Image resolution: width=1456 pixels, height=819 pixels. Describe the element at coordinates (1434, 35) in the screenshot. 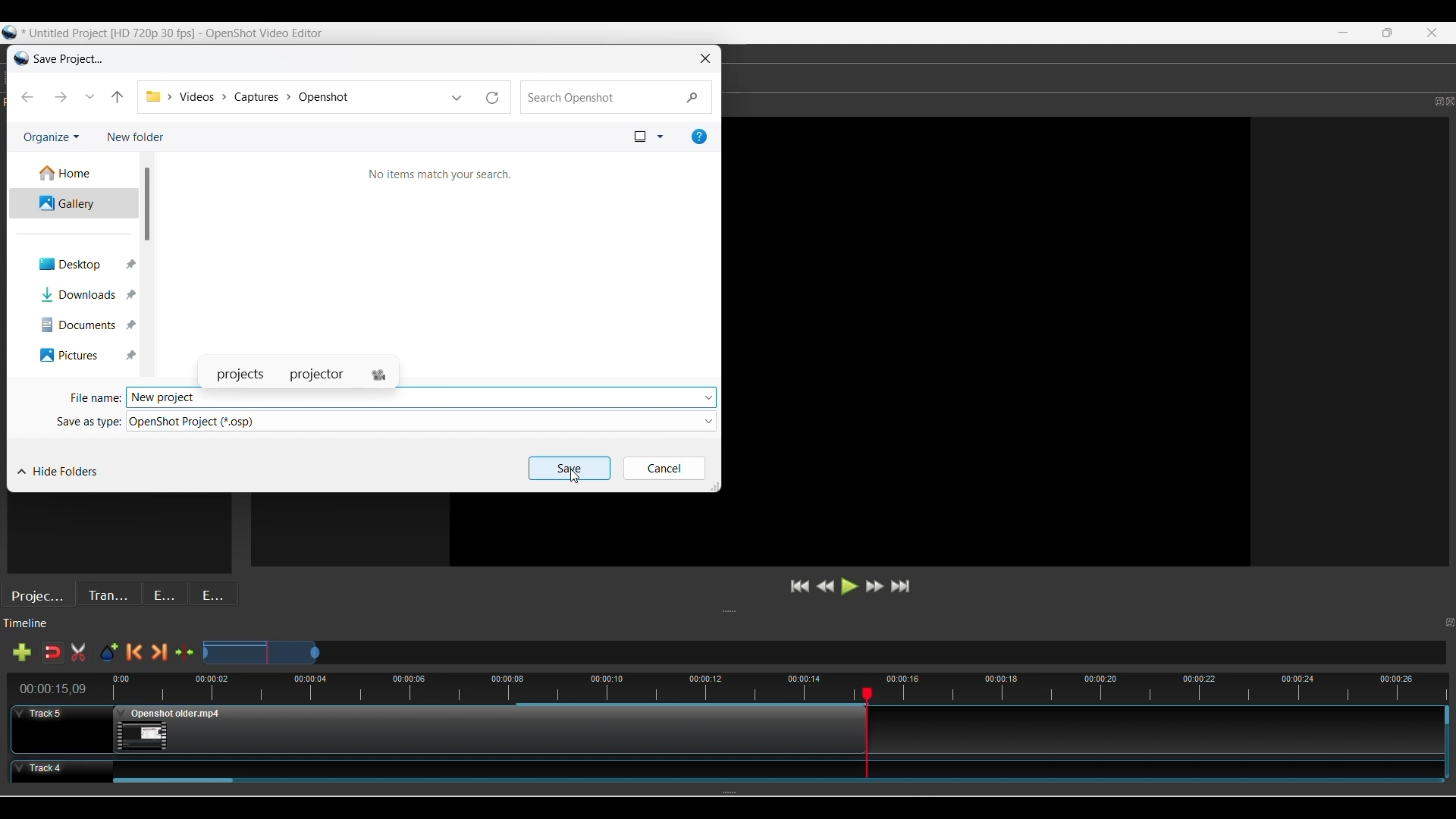

I see `Close` at that location.